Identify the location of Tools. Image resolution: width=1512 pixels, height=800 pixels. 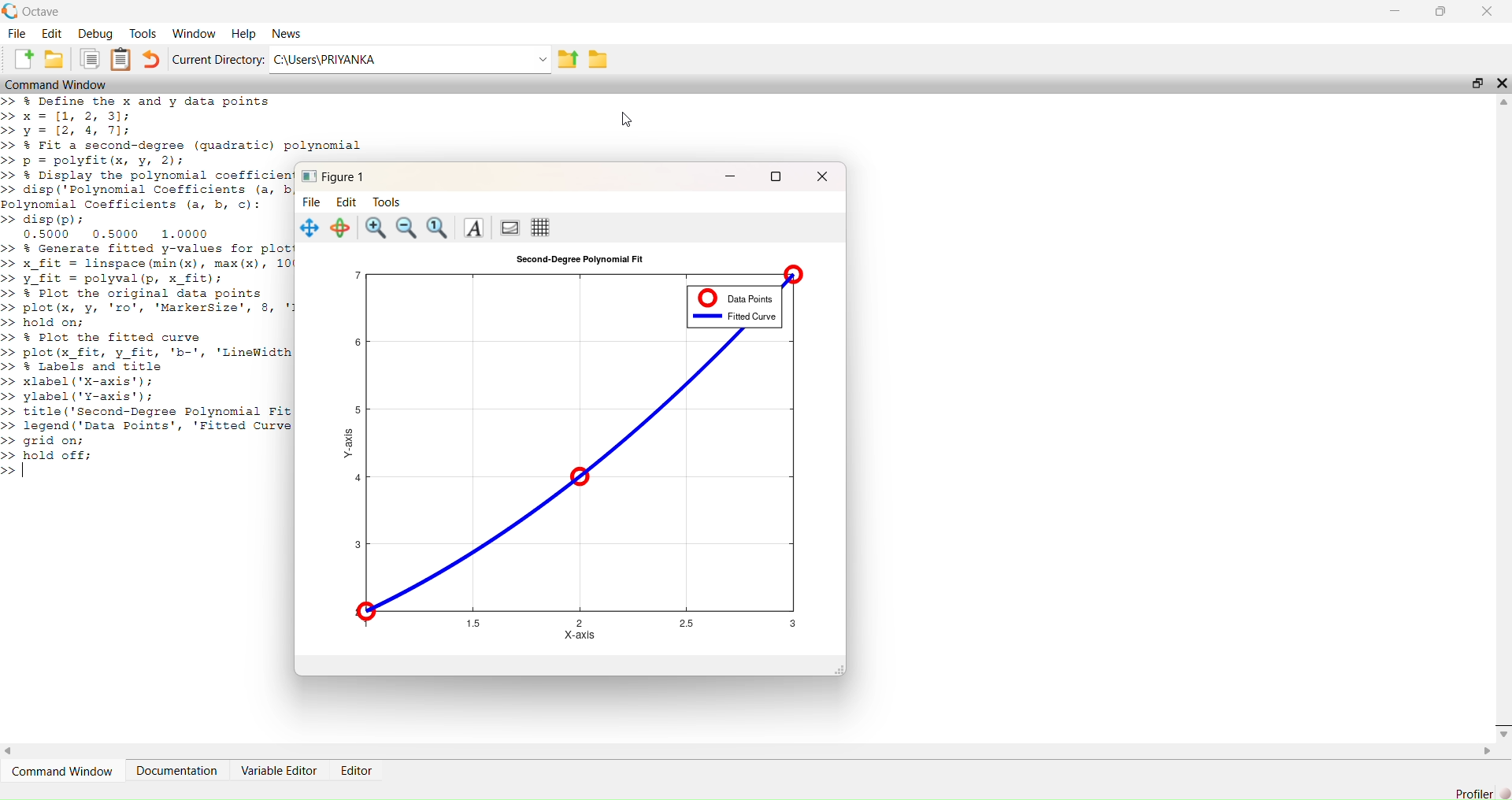
(389, 201).